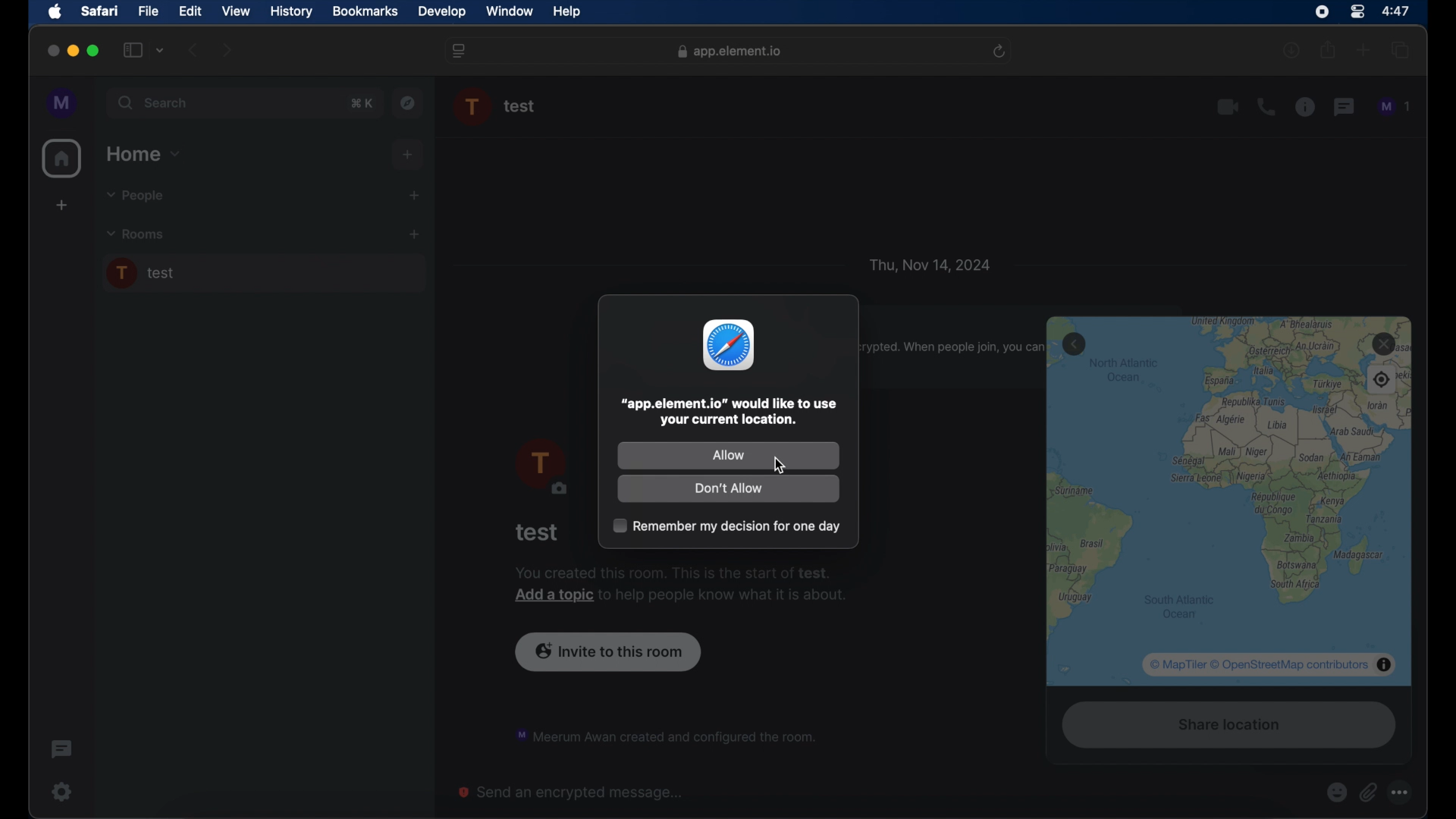 The image size is (1456, 819). What do you see at coordinates (160, 51) in the screenshot?
I see `tab group  picker` at bounding box center [160, 51].